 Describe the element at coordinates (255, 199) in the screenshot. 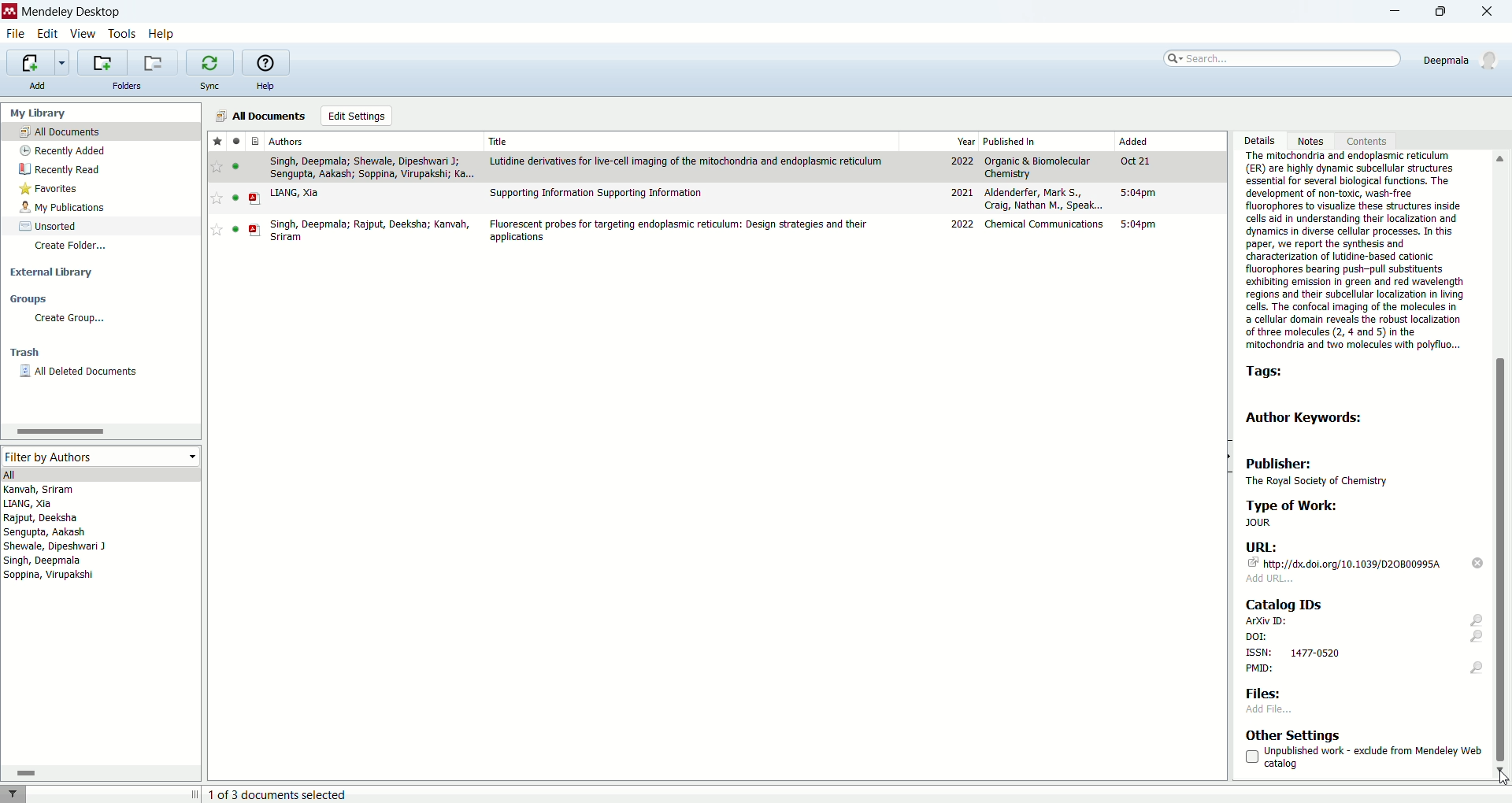

I see `PDF` at that location.